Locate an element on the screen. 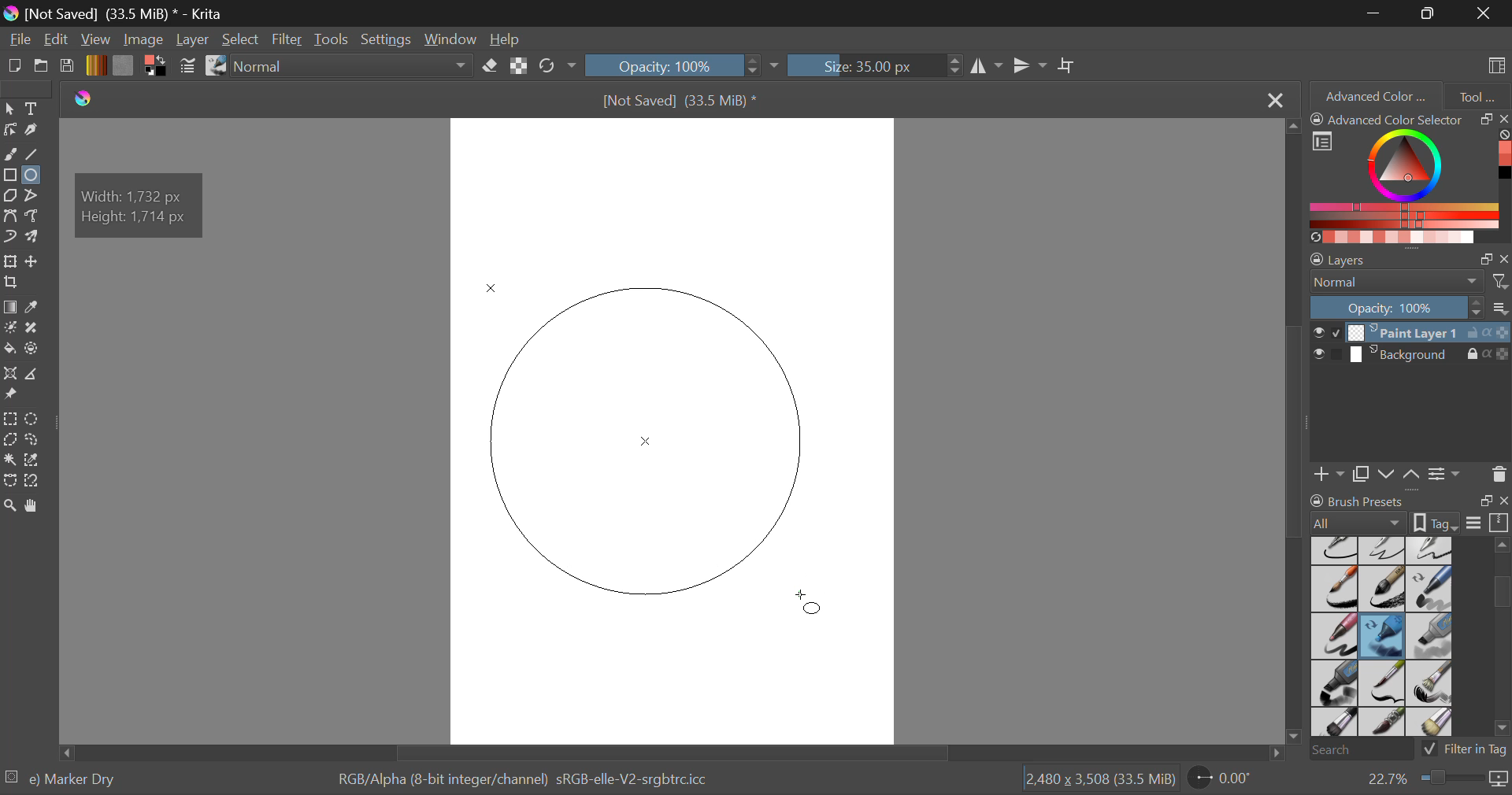 The width and height of the screenshot is (1512, 795). Polygonal Selection Tool is located at coordinates (10, 438).